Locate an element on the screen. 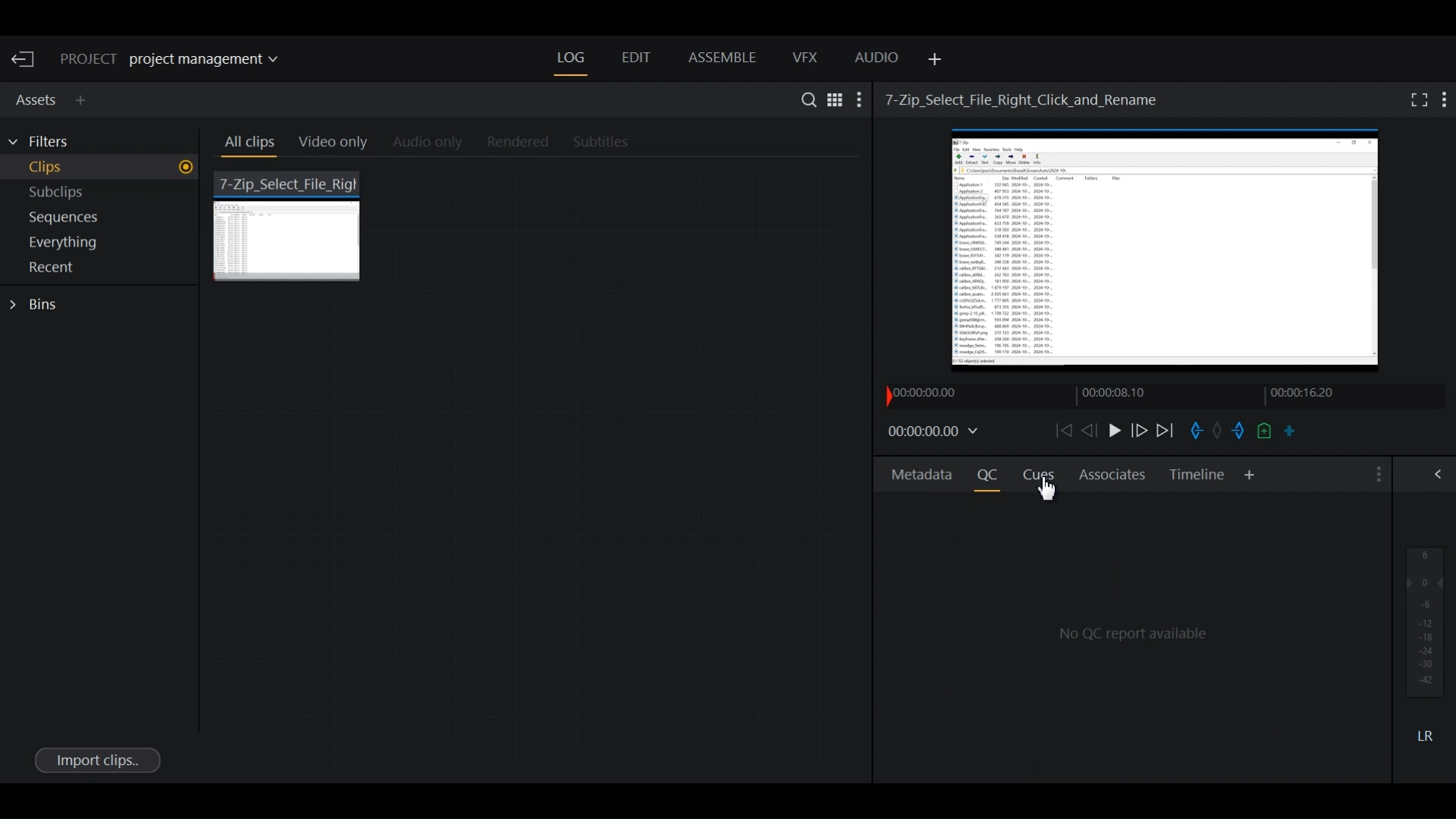  Play forward is located at coordinates (1166, 431).